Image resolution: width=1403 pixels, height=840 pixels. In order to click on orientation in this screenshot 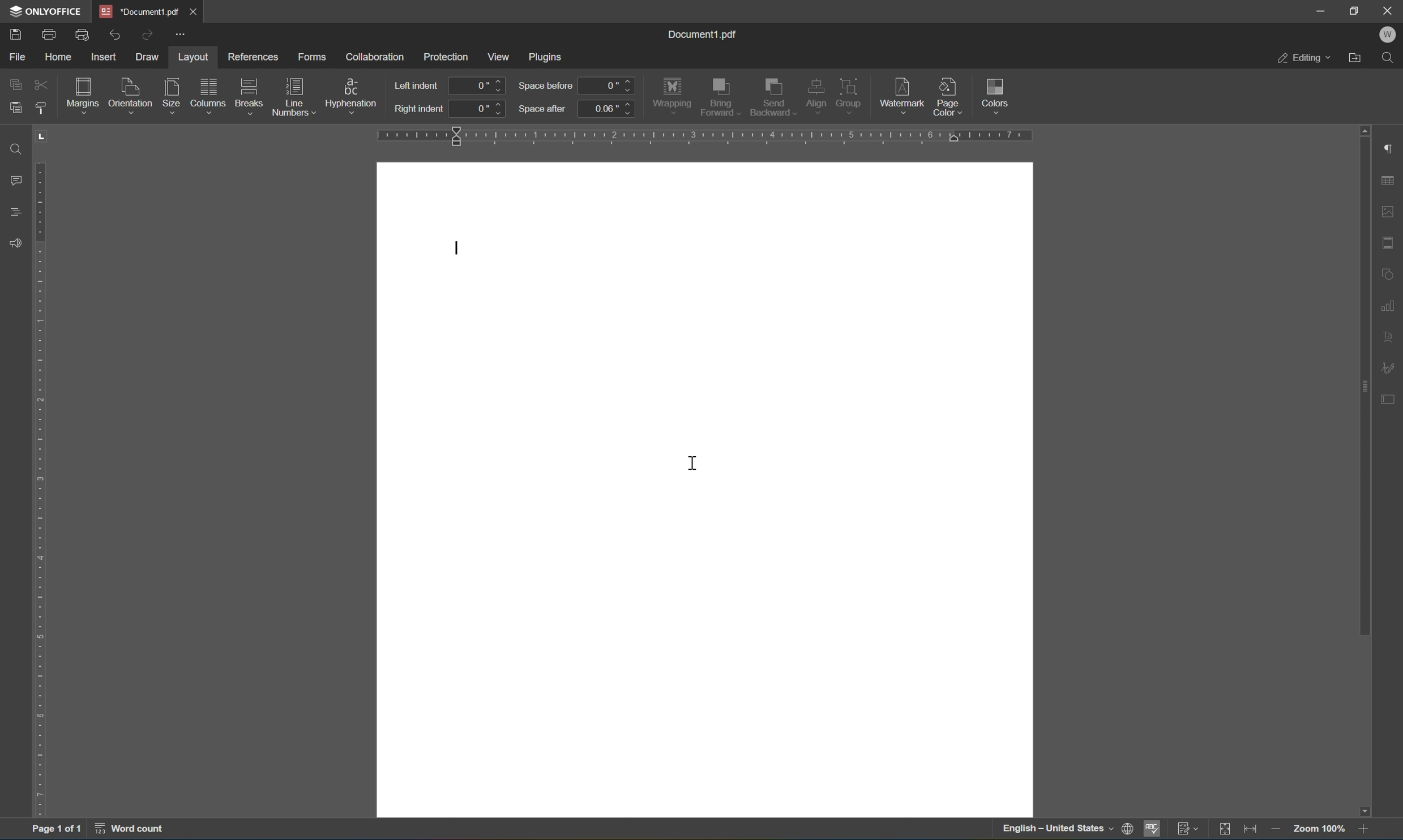, I will do `click(131, 93)`.